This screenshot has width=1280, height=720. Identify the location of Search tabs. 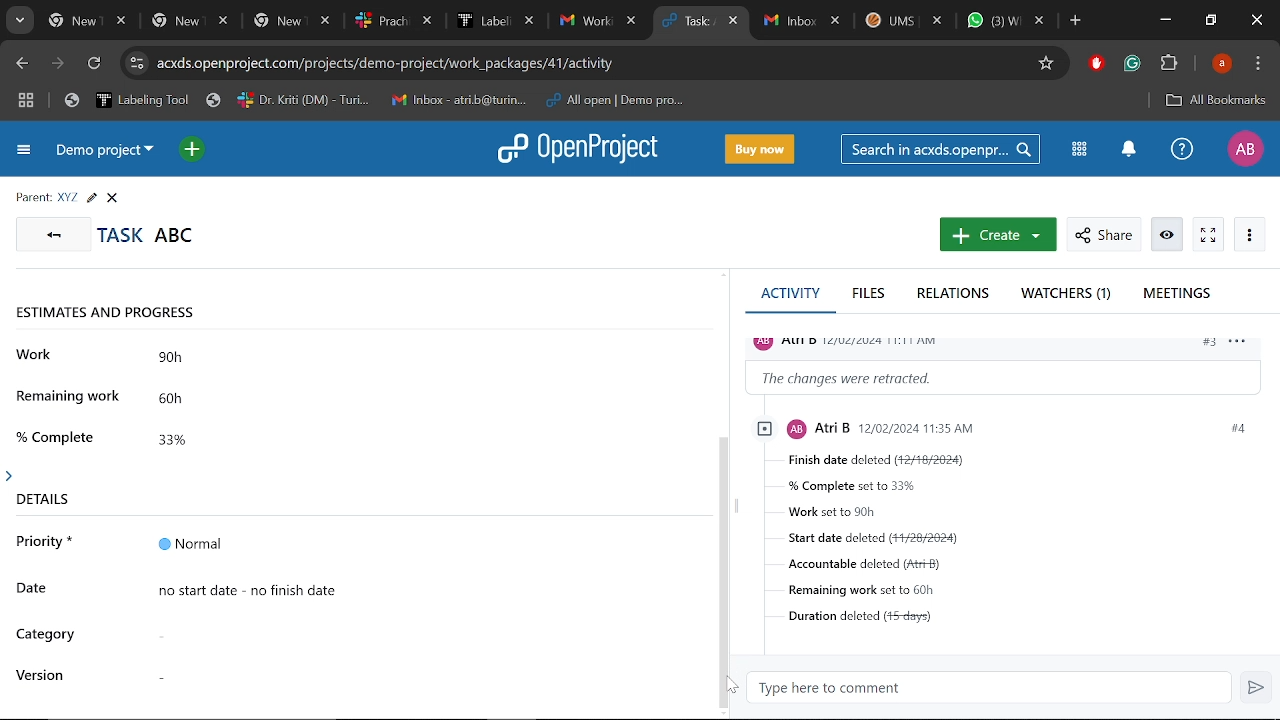
(18, 21).